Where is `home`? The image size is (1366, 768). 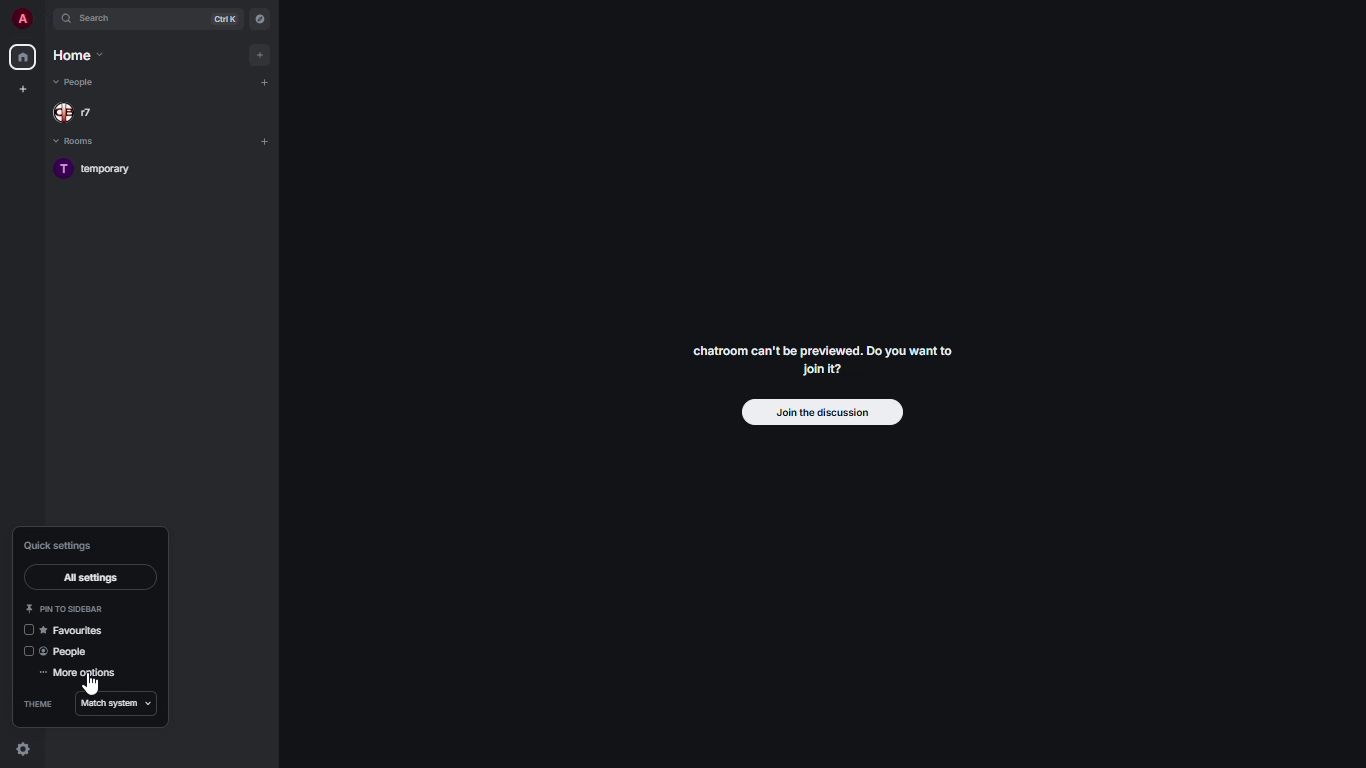 home is located at coordinates (77, 57).